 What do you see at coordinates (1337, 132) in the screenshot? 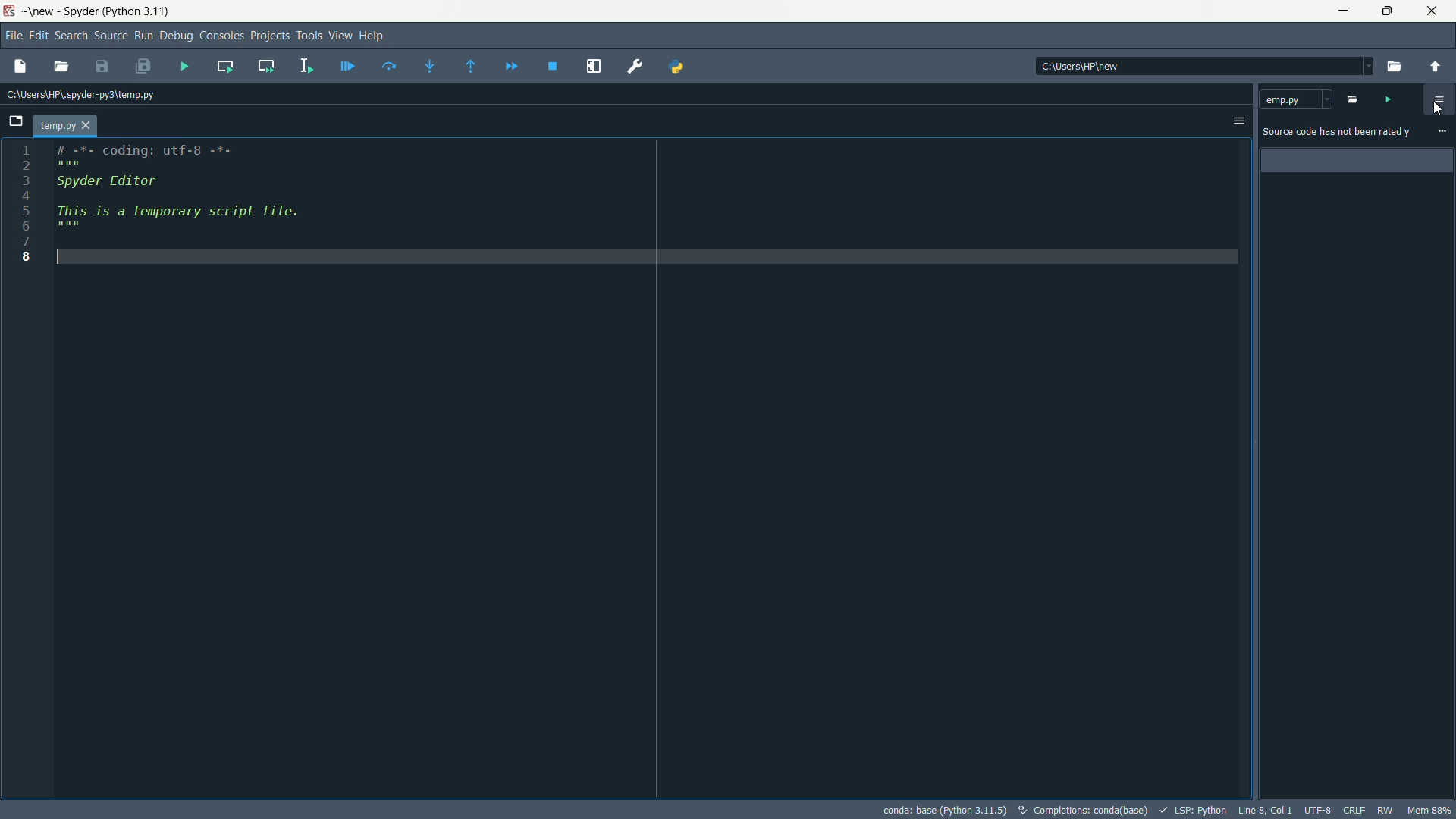
I see `Source code has not been rated yet.` at bounding box center [1337, 132].